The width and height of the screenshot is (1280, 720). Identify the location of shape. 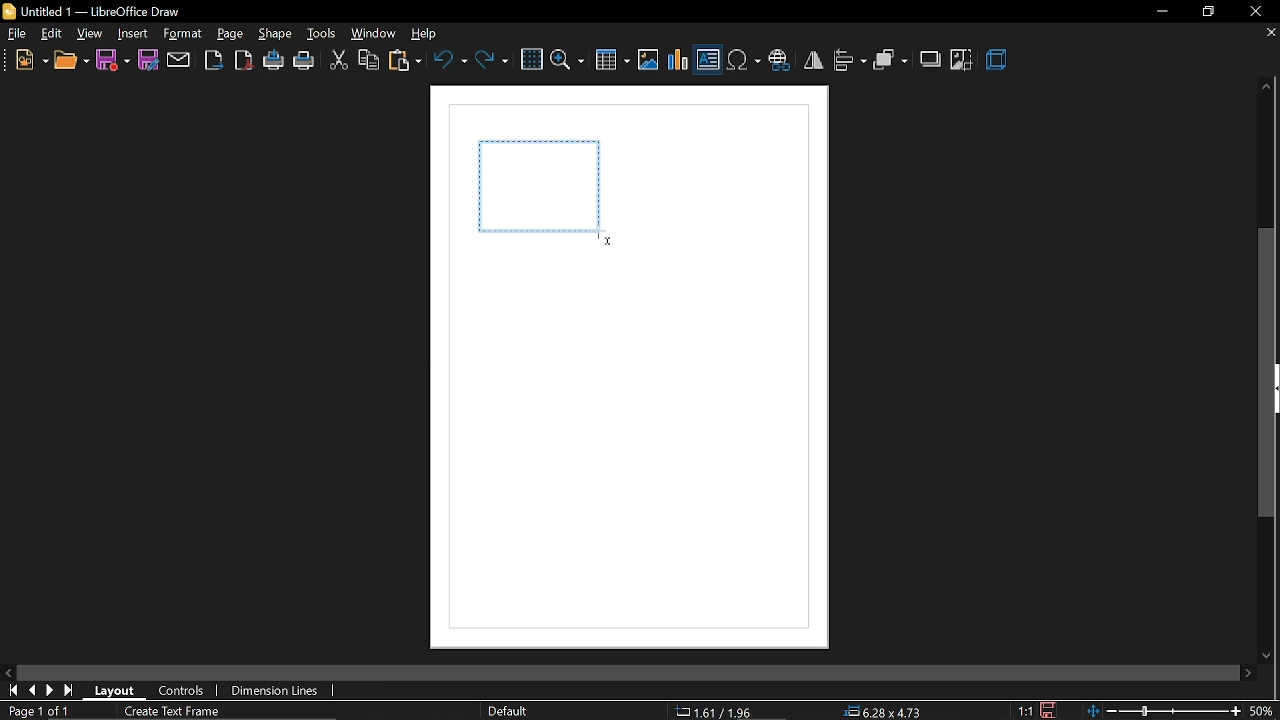
(277, 35).